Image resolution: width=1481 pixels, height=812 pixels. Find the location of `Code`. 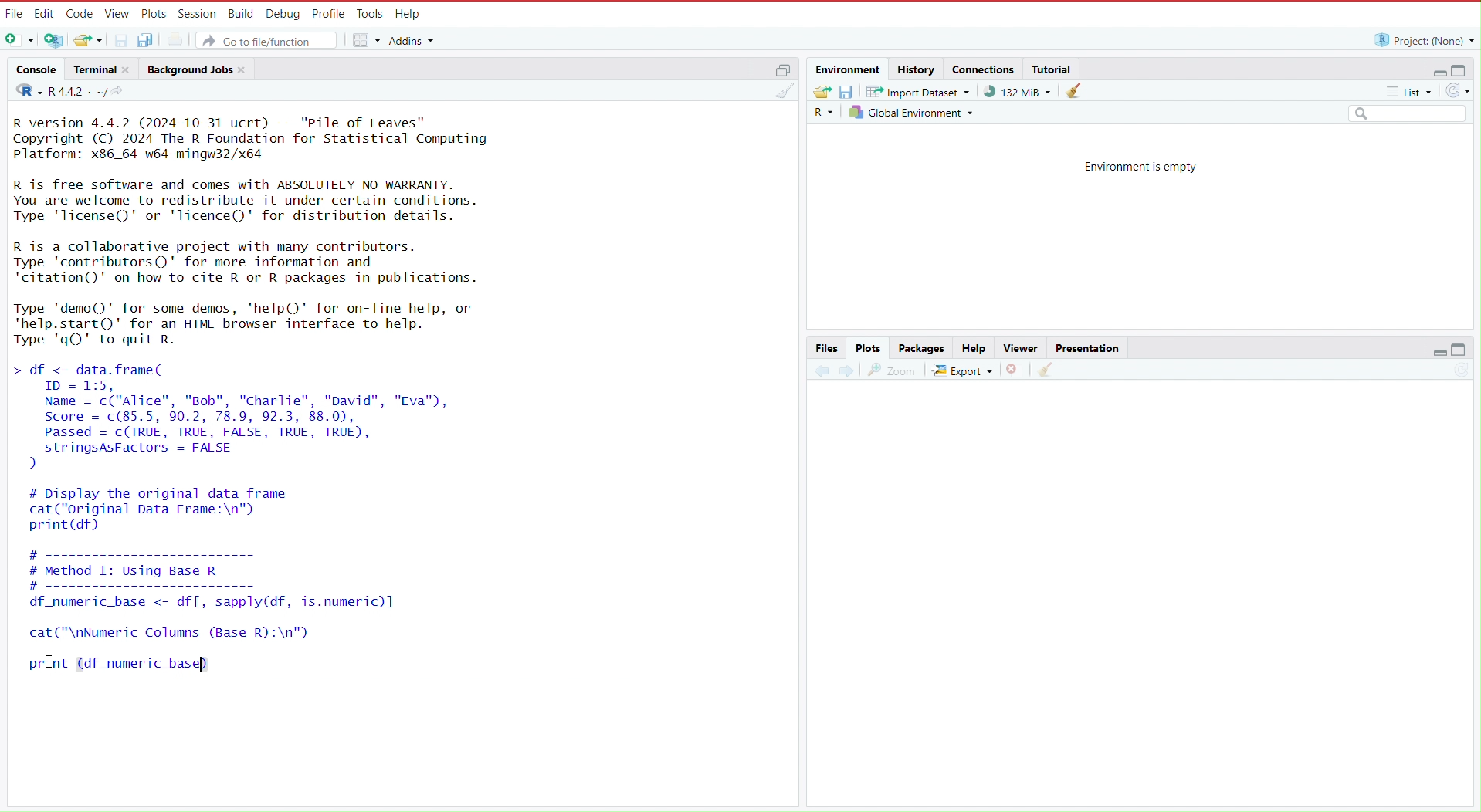

Code is located at coordinates (79, 11).